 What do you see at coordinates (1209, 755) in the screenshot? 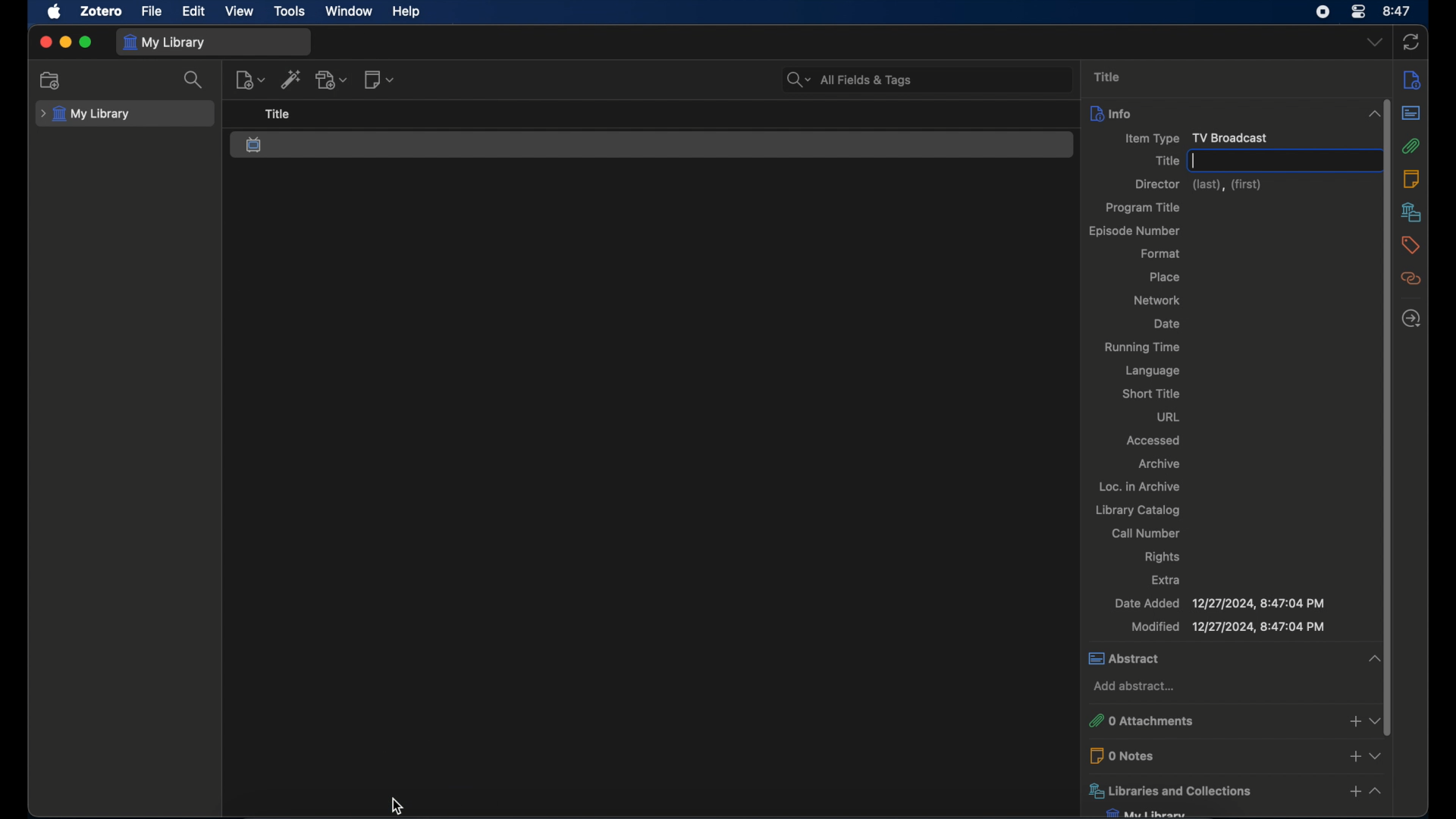
I see `0 notes` at bounding box center [1209, 755].